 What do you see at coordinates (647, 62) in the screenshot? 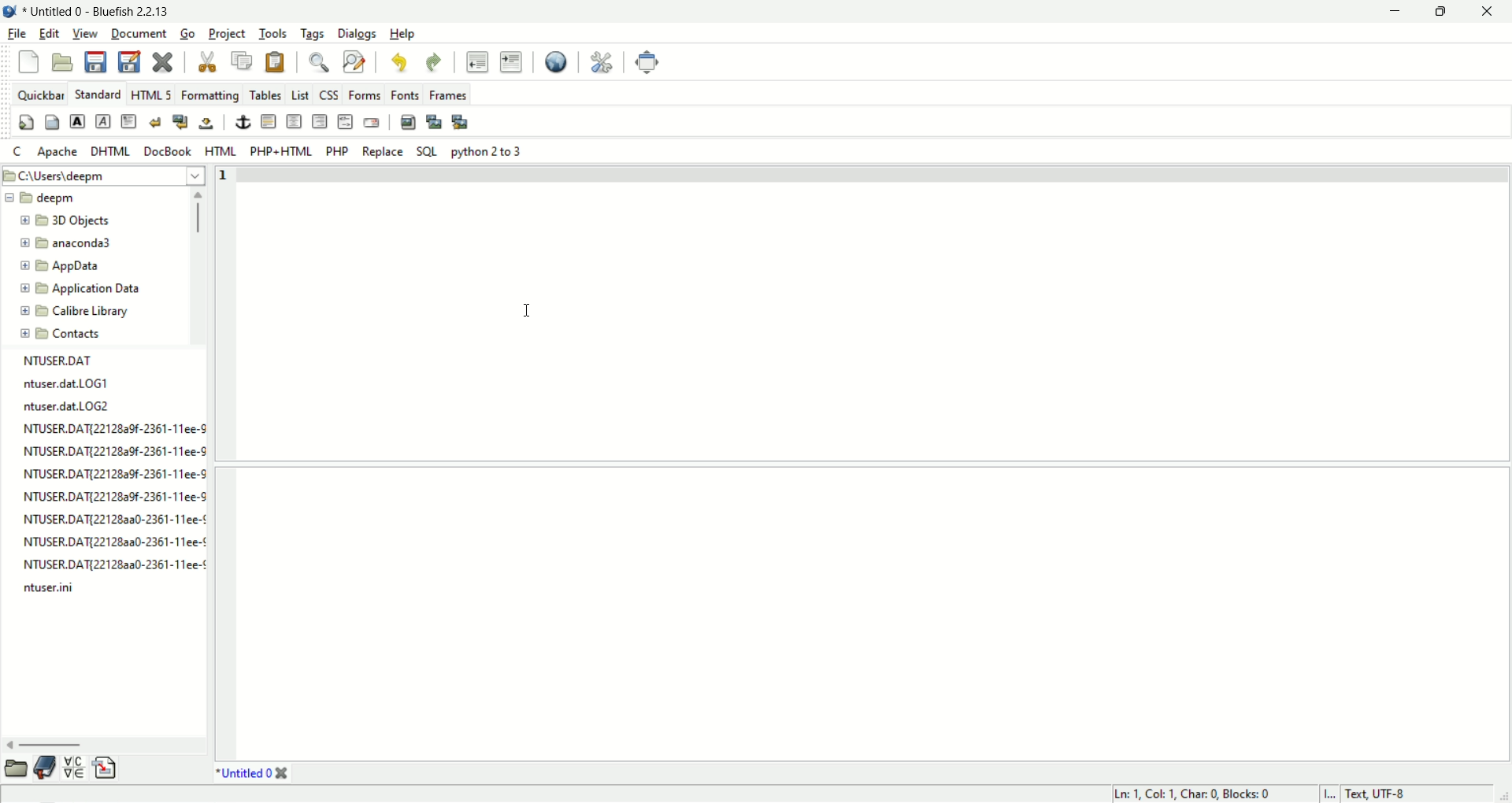
I see `fullscreen` at bounding box center [647, 62].